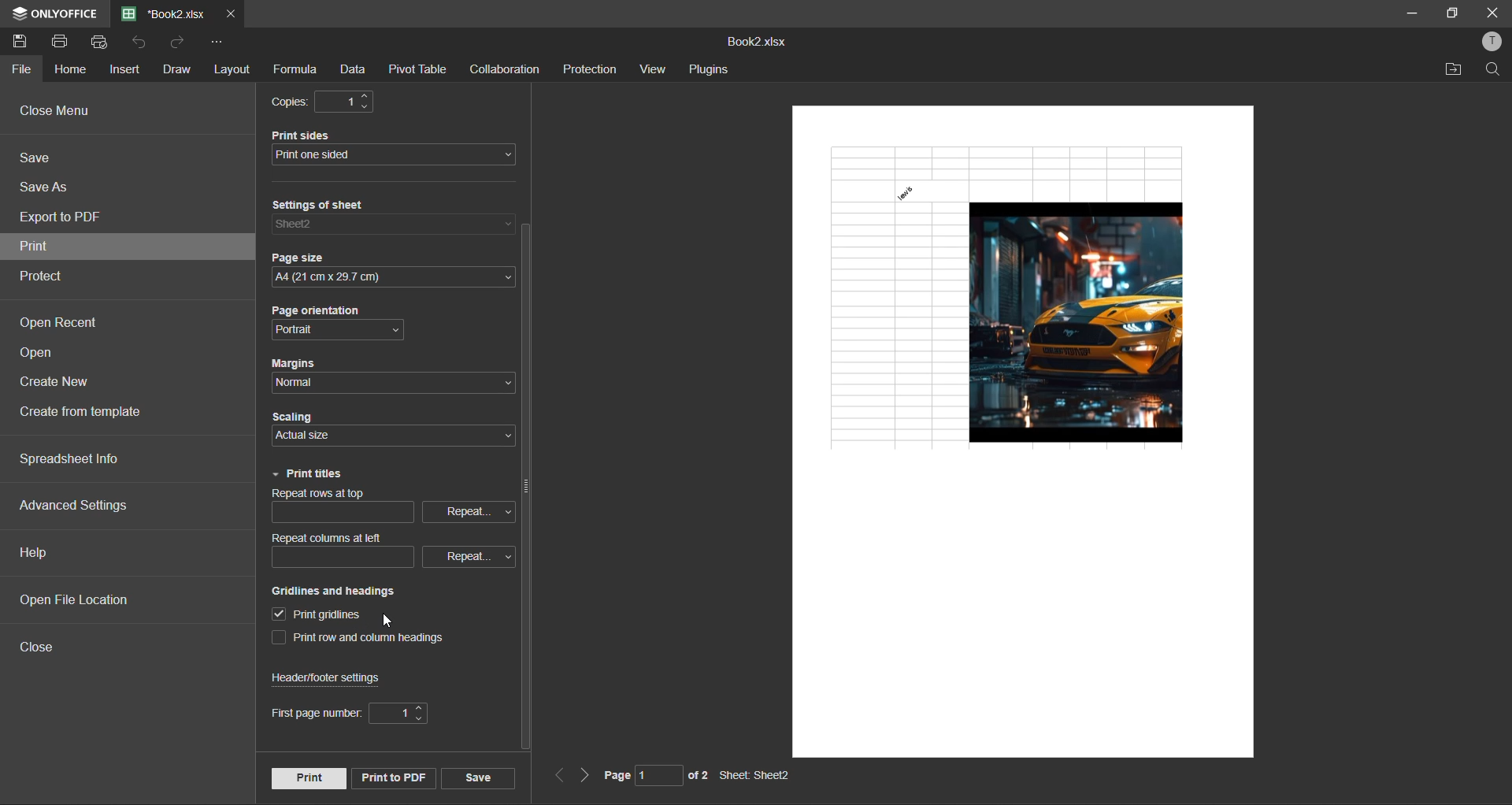  Describe the element at coordinates (346, 102) in the screenshot. I see `1` at that location.